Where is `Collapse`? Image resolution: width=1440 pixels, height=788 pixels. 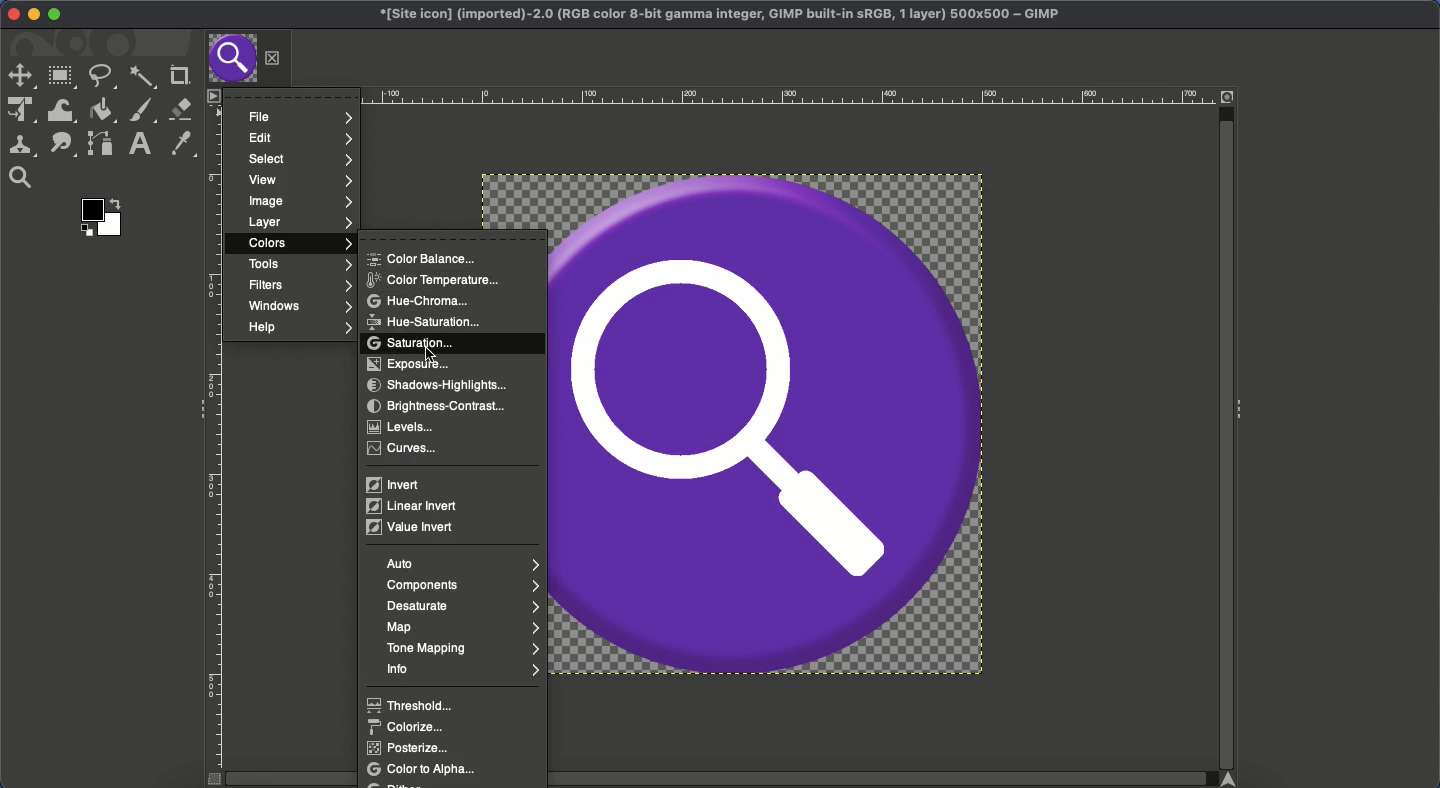 Collapse is located at coordinates (1245, 411).